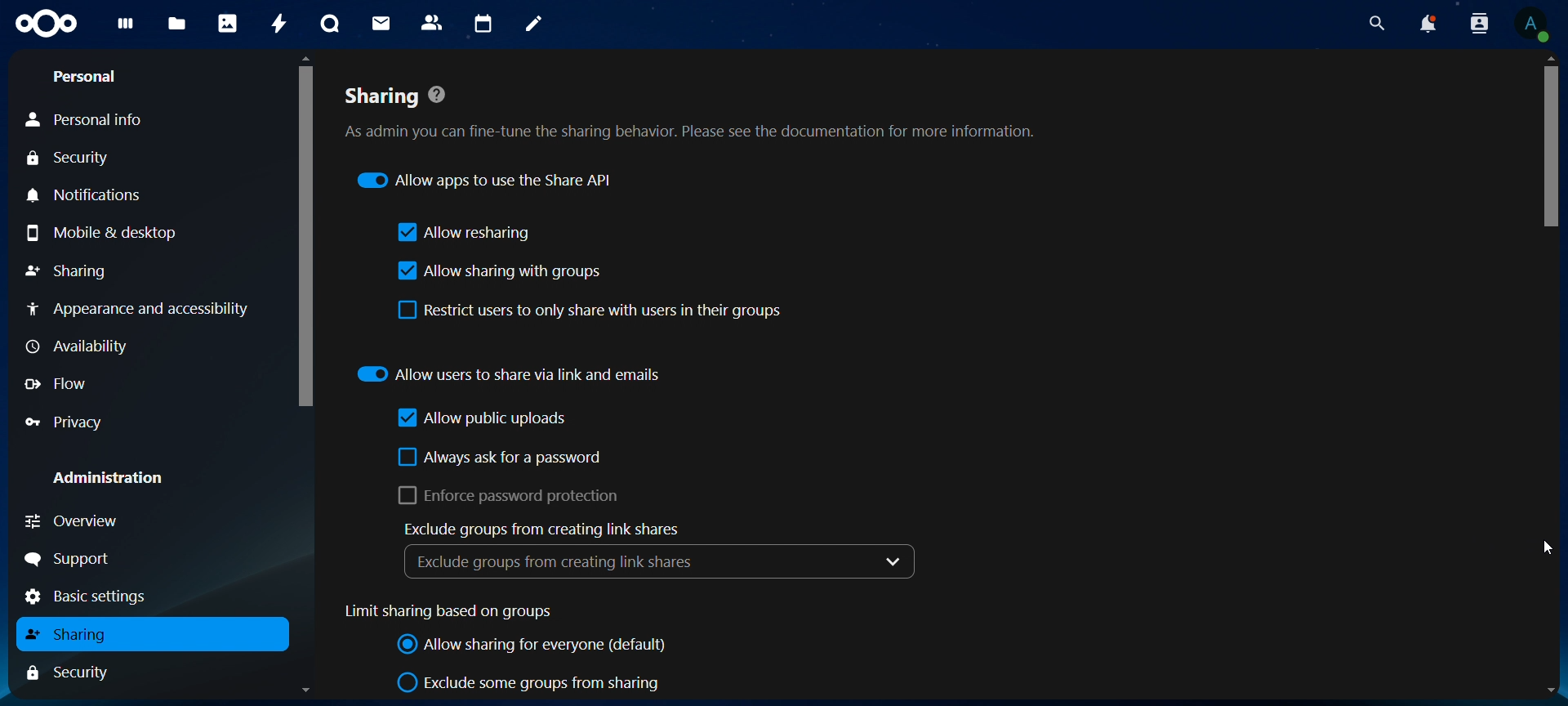 The image size is (1568, 706). I want to click on Scrollbar, so click(1551, 377).